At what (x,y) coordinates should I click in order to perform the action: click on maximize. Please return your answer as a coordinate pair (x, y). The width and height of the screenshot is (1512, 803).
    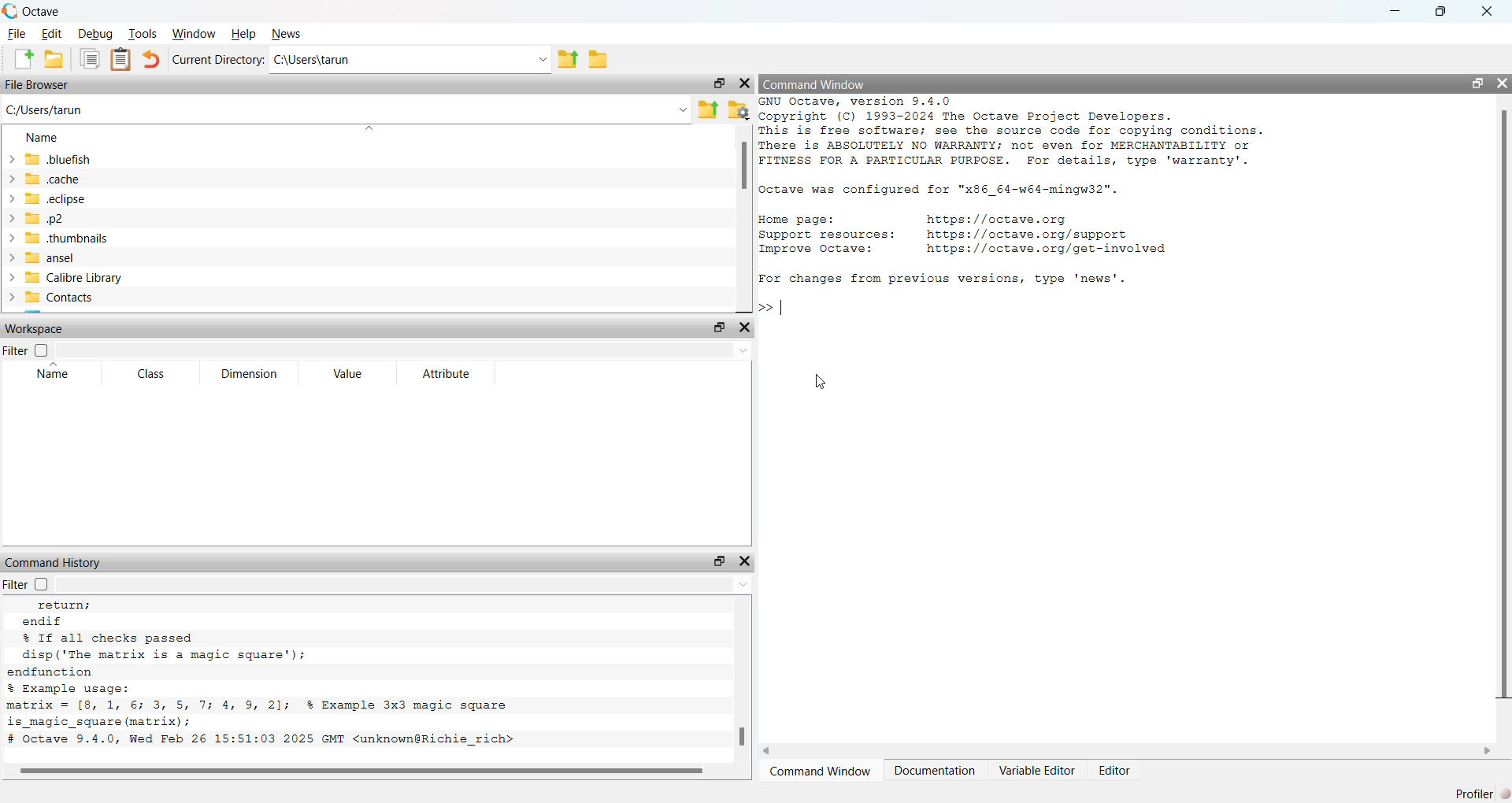
    Looking at the image, I should click on (1440, 12).